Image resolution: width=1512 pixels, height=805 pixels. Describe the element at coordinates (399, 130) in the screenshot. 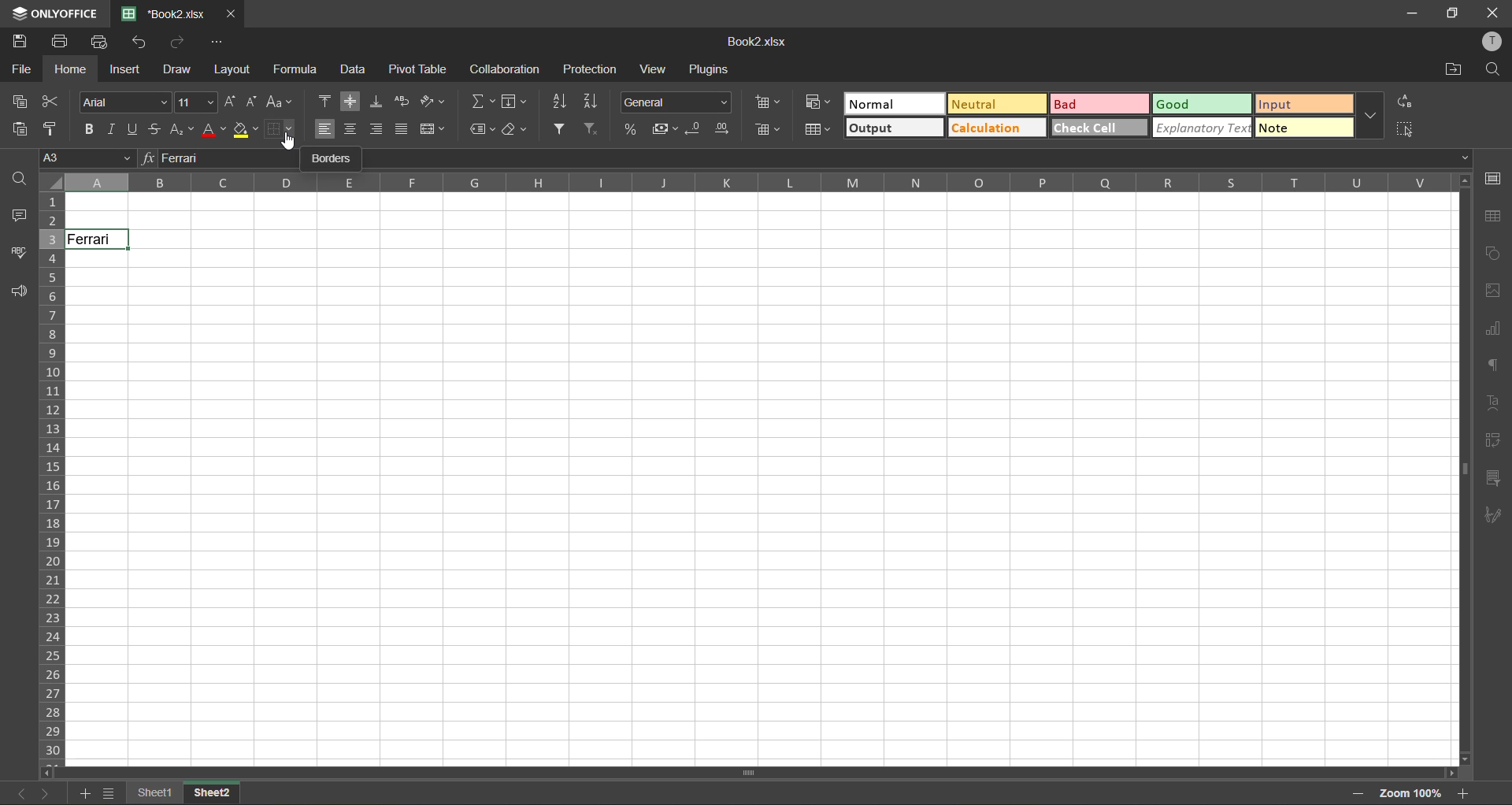

I see `justified` at that location.